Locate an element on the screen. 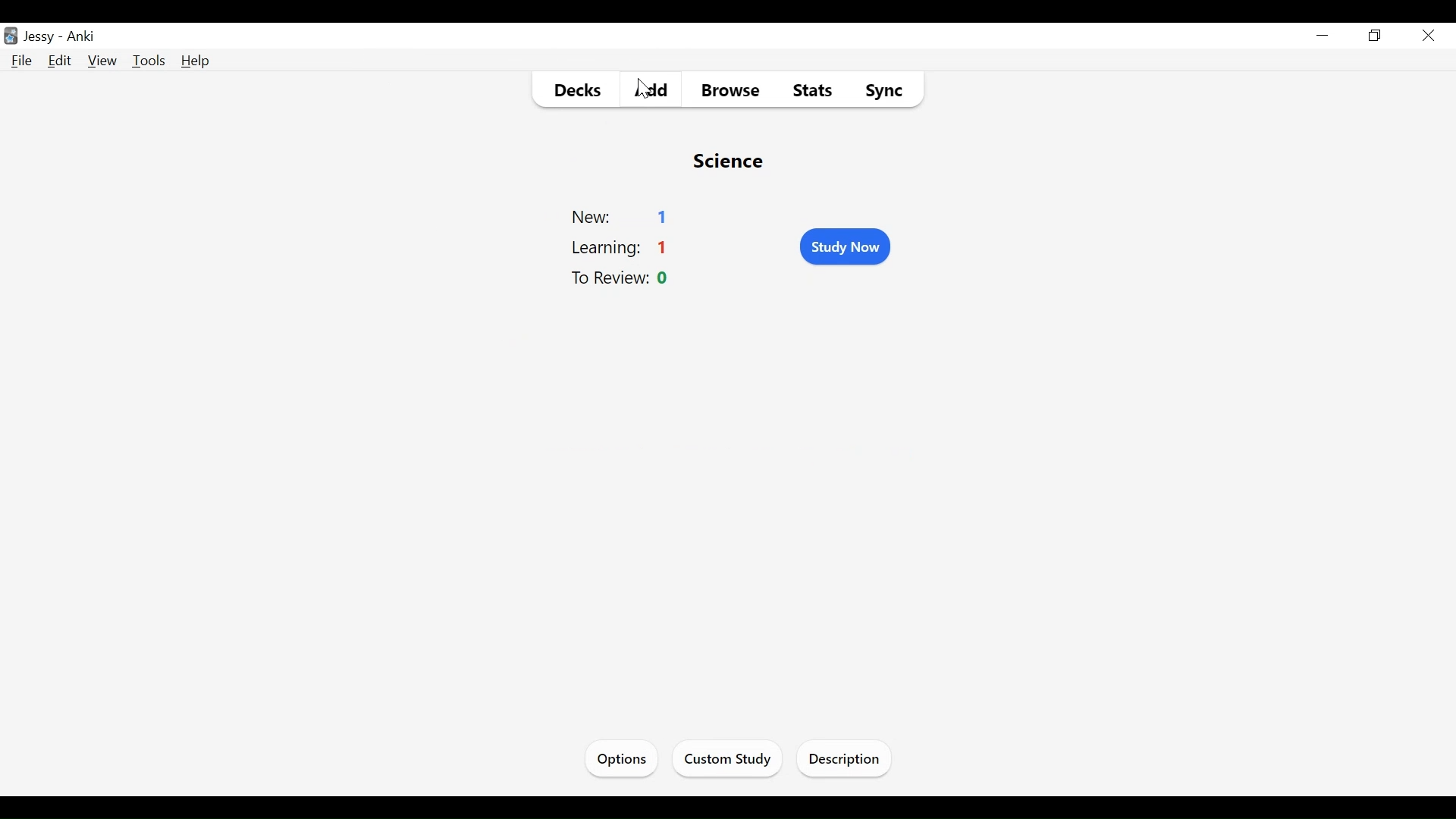  minimize is located at coordinates (1323, 36).